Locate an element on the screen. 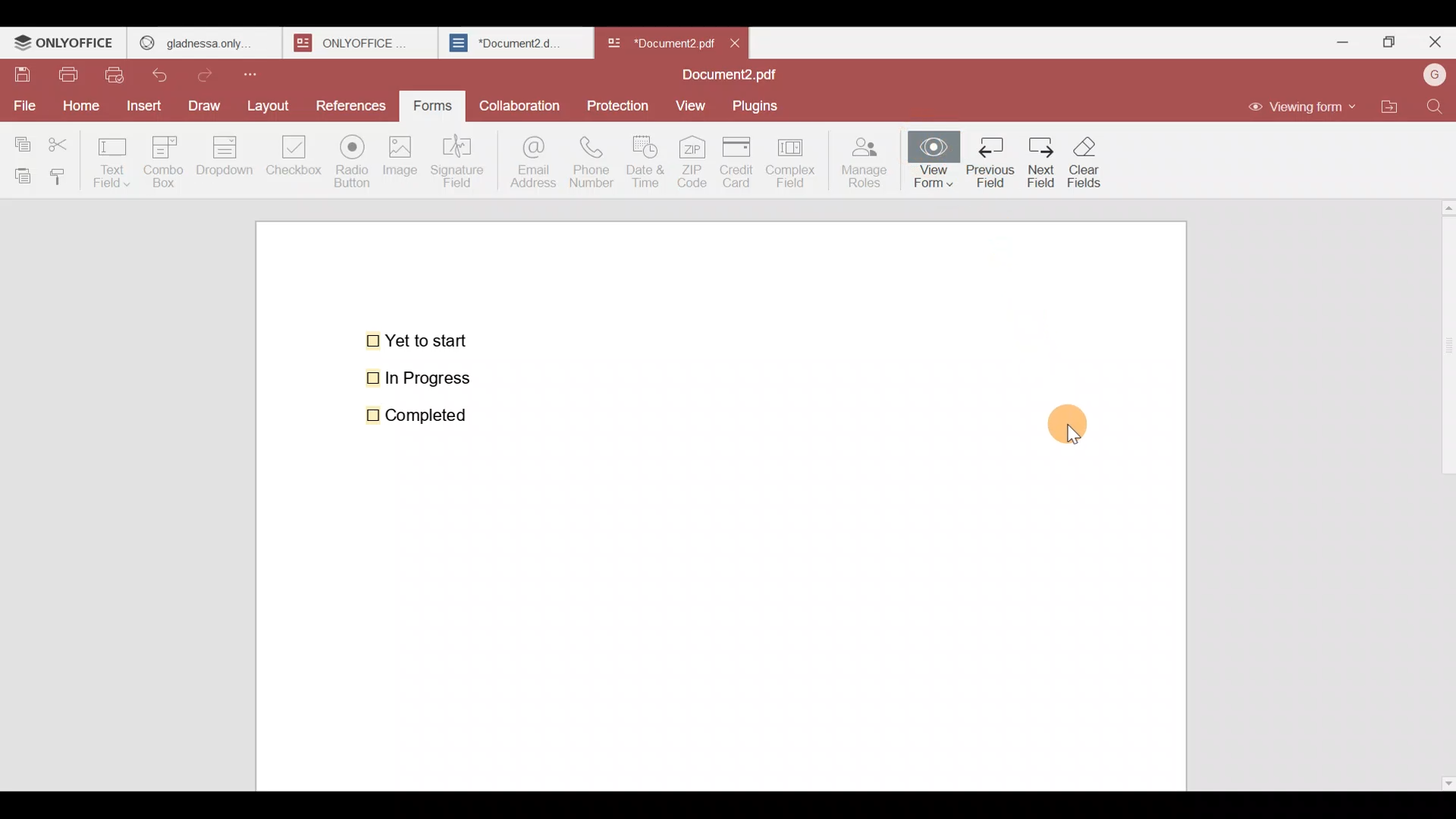 The width and height of the screenshot is (1456, 819). Paste is located at coordinates (20, 174).